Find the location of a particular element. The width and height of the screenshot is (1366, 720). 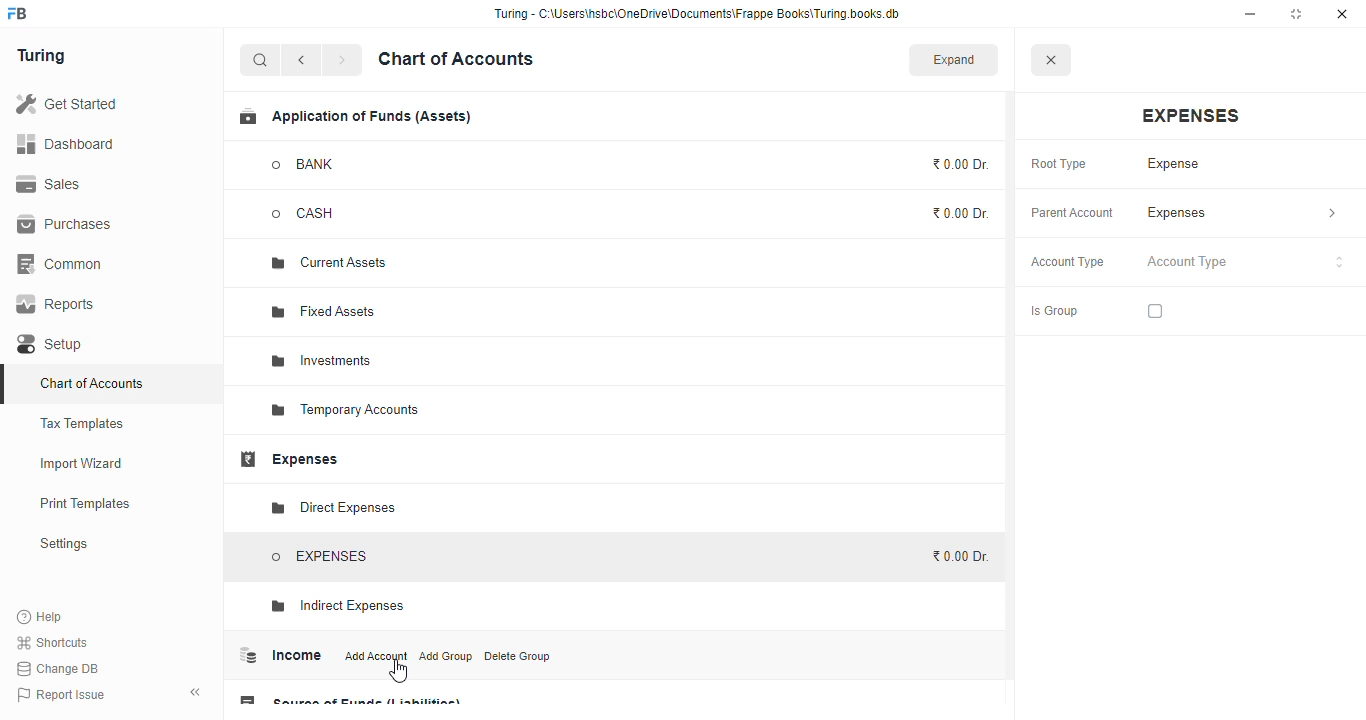

expand is located at coordinates (954, 59).